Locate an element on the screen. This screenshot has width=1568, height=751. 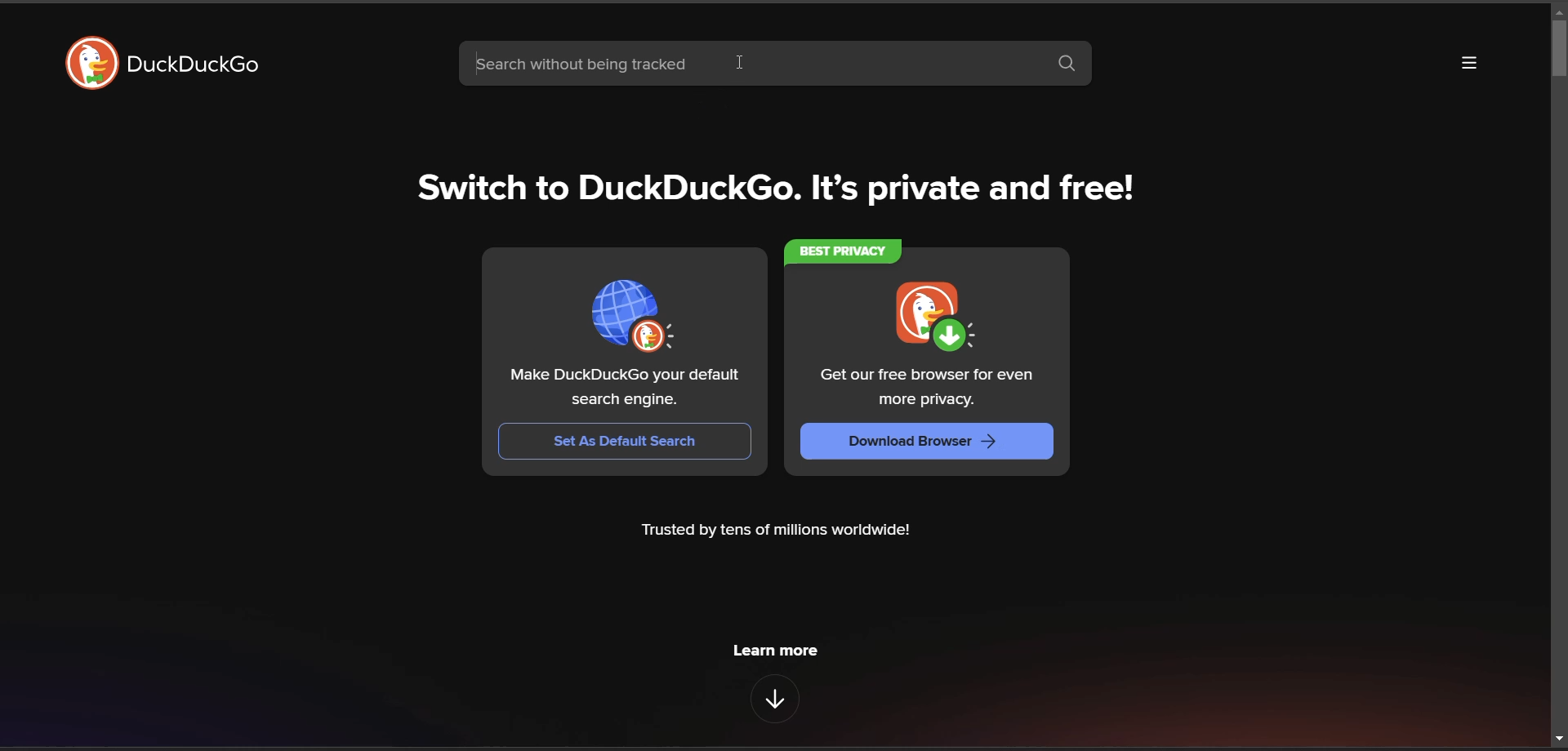
learn more is located at coordinates (778, 655).